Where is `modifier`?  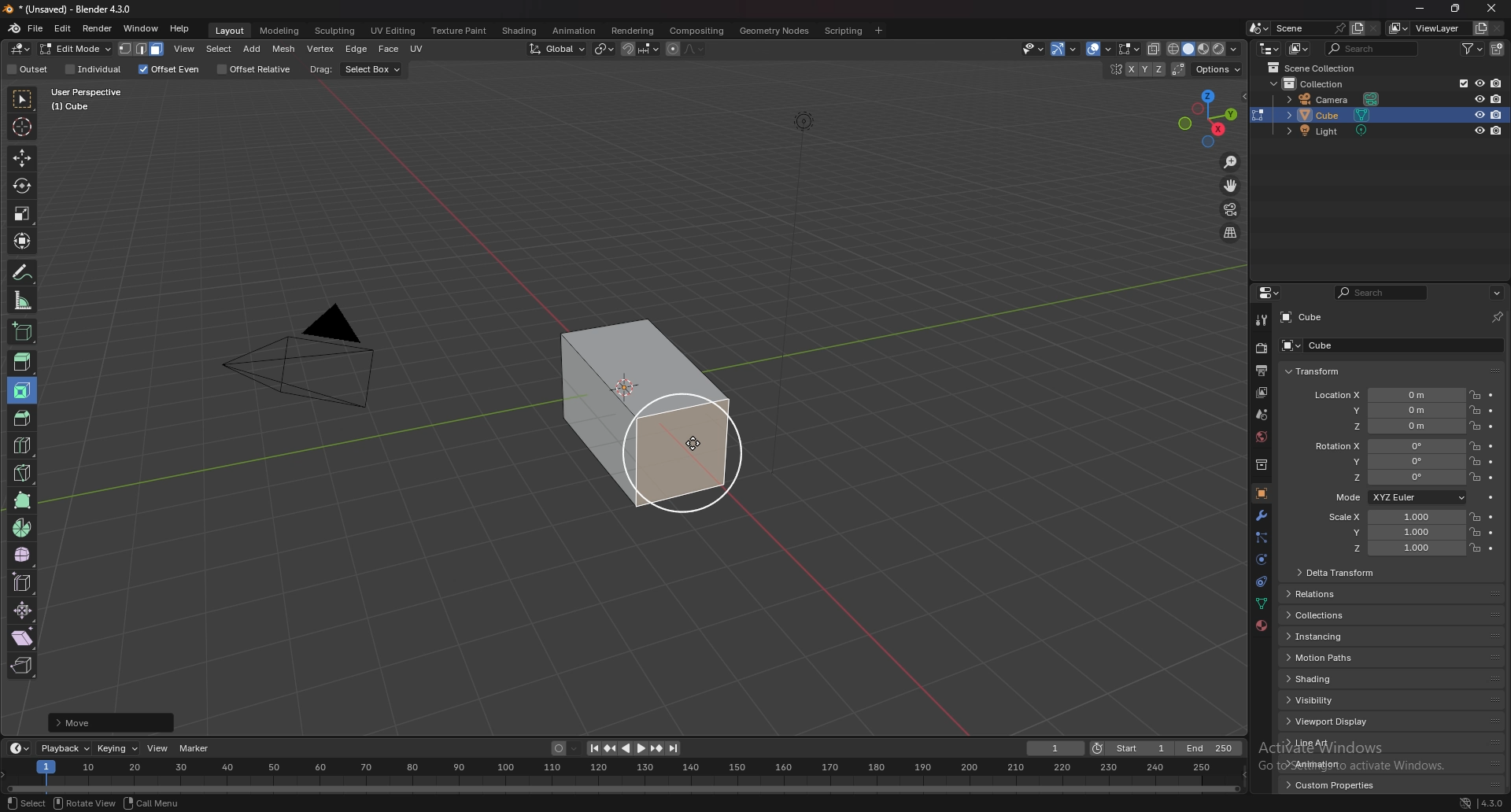 modifier is located at coordinates (1262, 515).